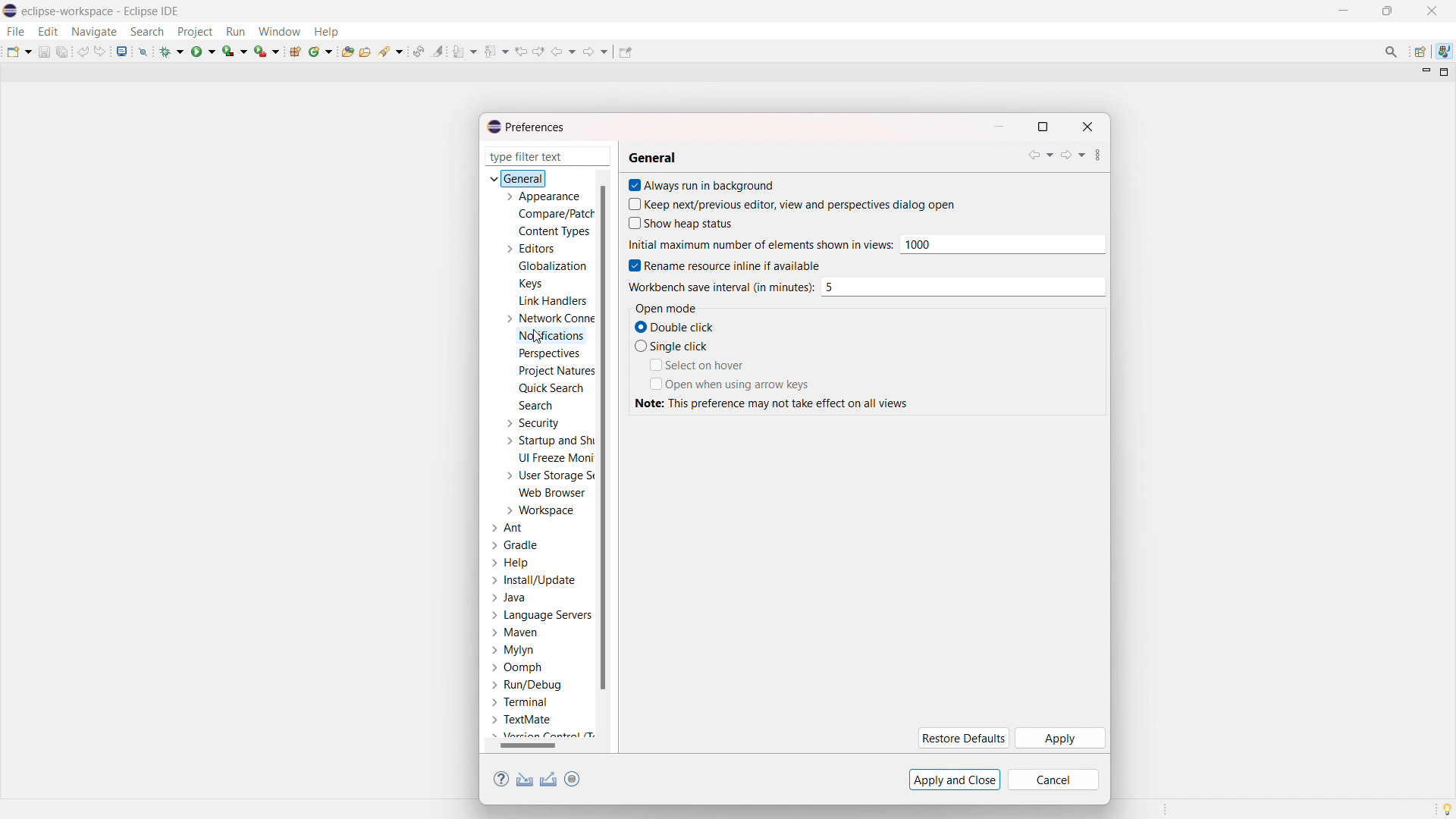 The height and width of the screenshot is (819, 1456). What do you see at coordinates (465, 51) in the screenshot?
I see `next annotation` at bounding box center [465, 51].